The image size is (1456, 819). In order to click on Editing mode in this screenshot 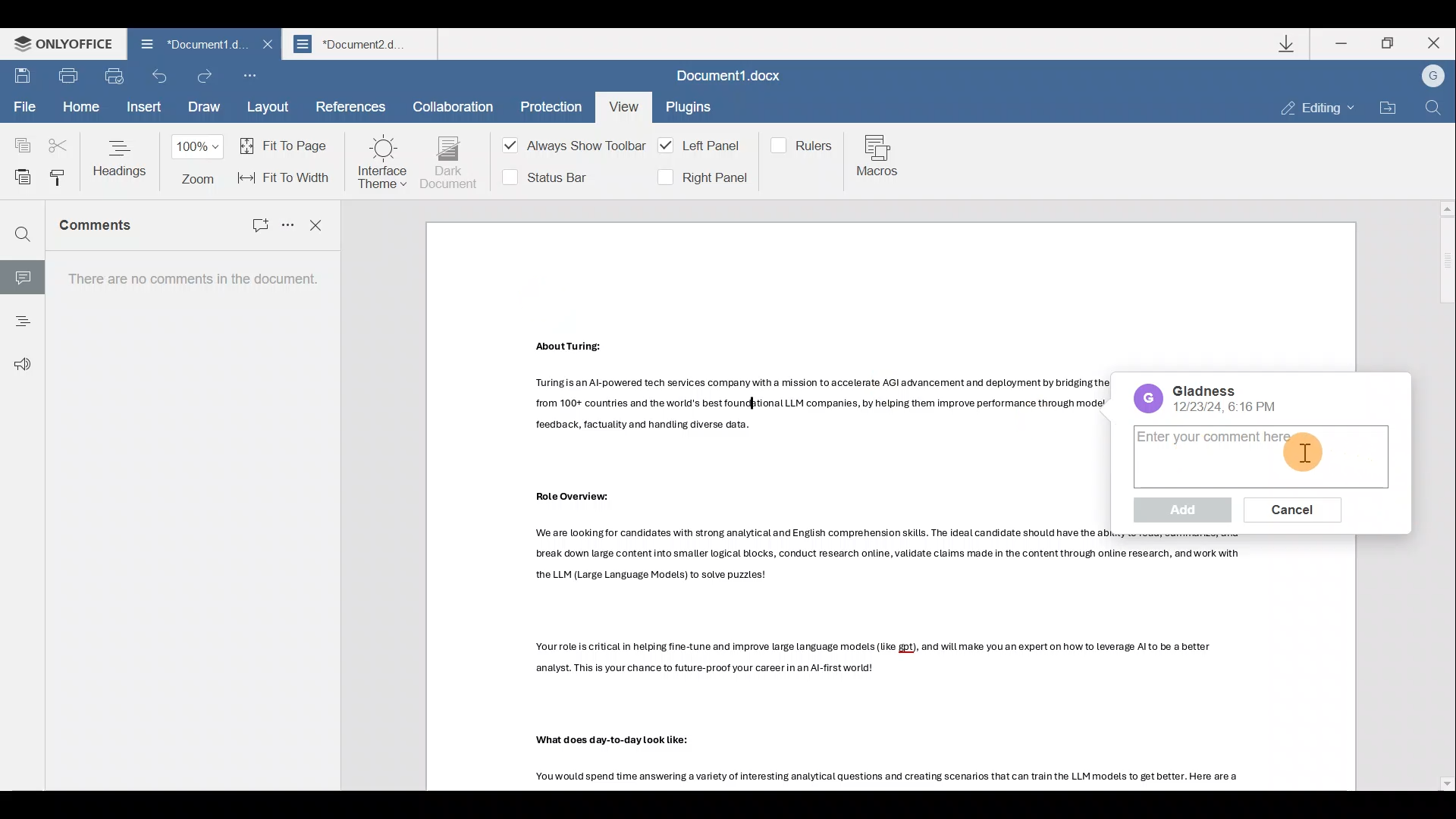, I will do `click(1318, 109)`.